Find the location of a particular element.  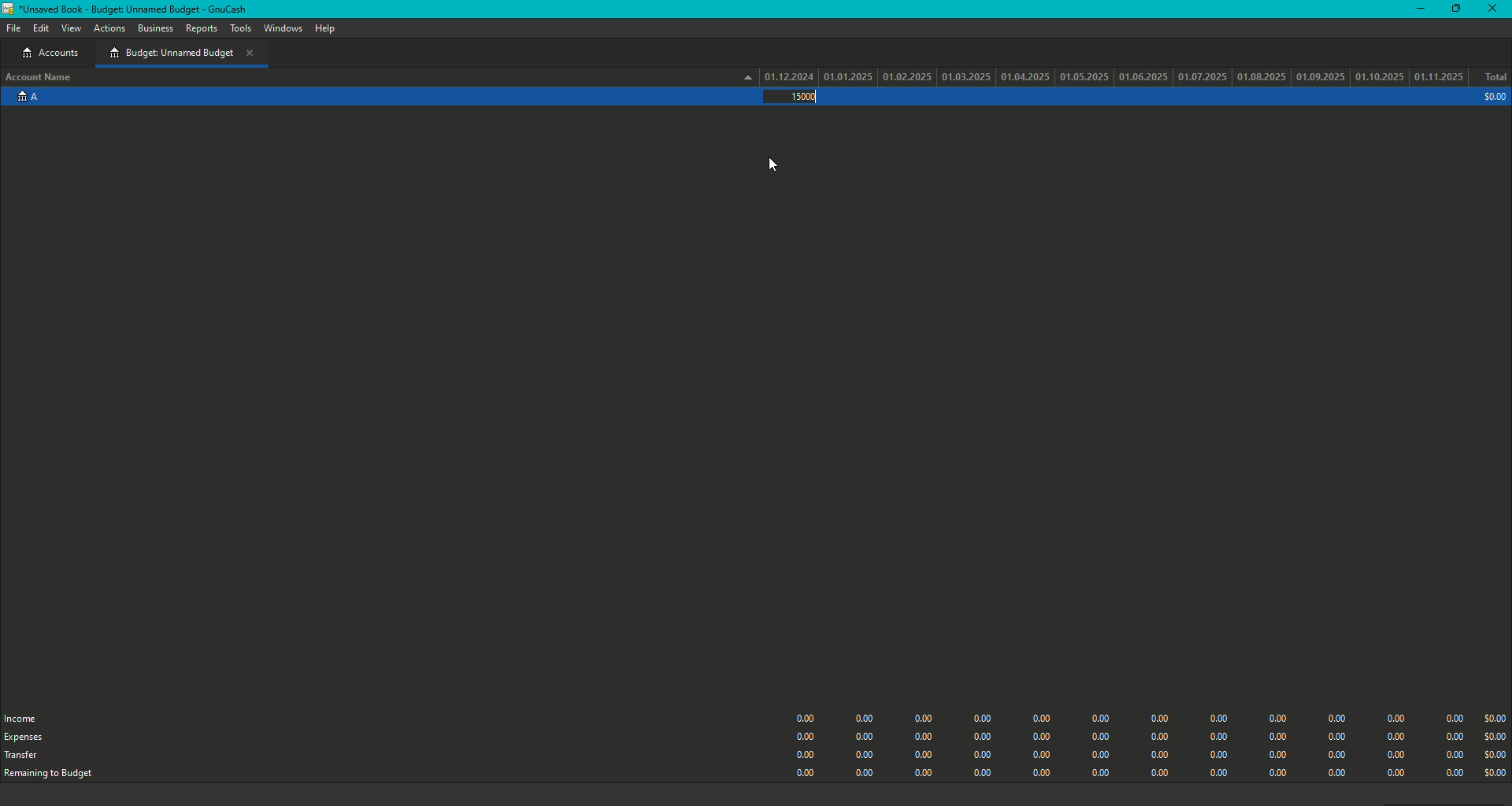

Date range is located at coordinates (1106, 76).